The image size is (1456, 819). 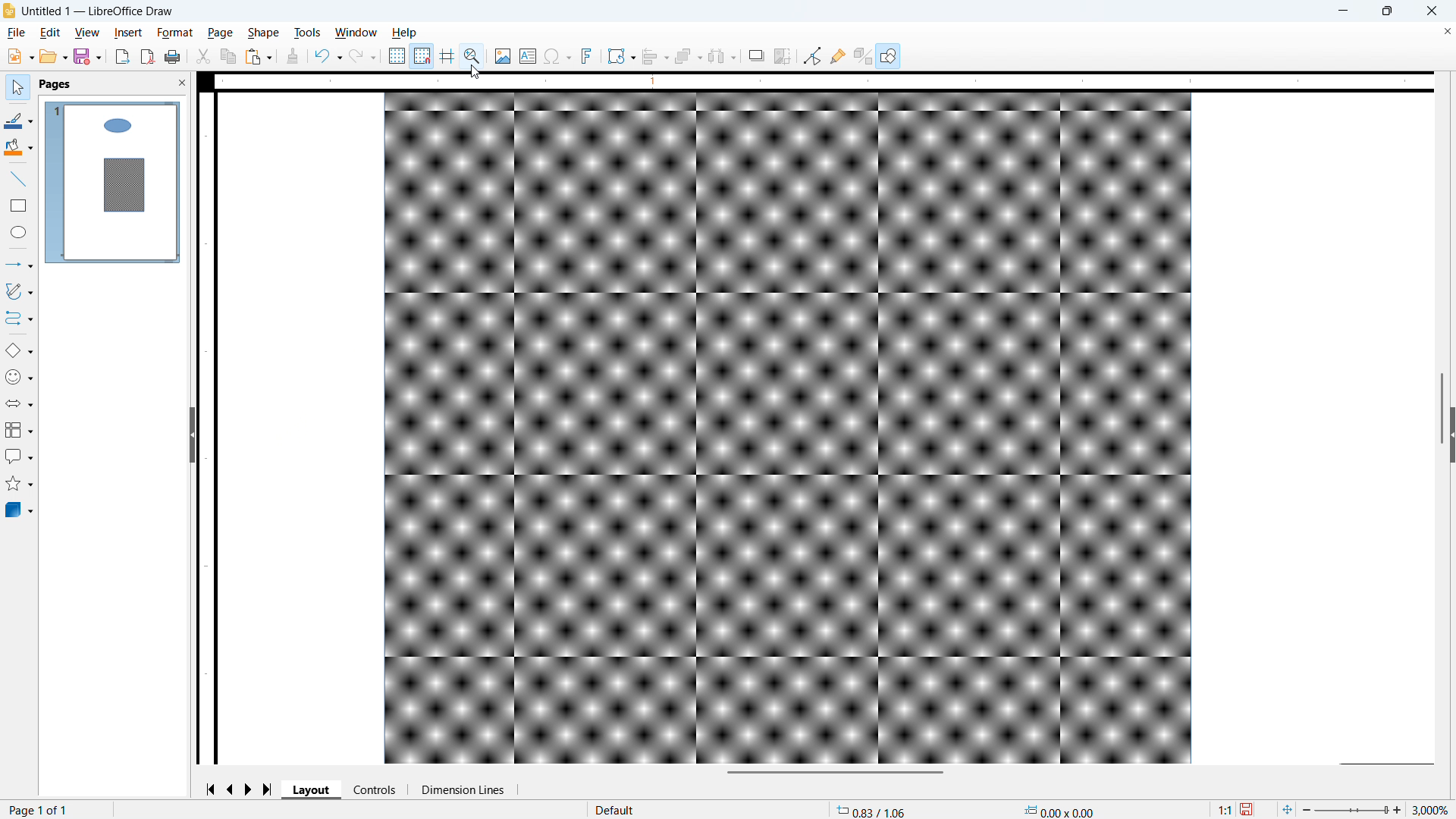 I want to click on Window , so click(x=356, y=33).